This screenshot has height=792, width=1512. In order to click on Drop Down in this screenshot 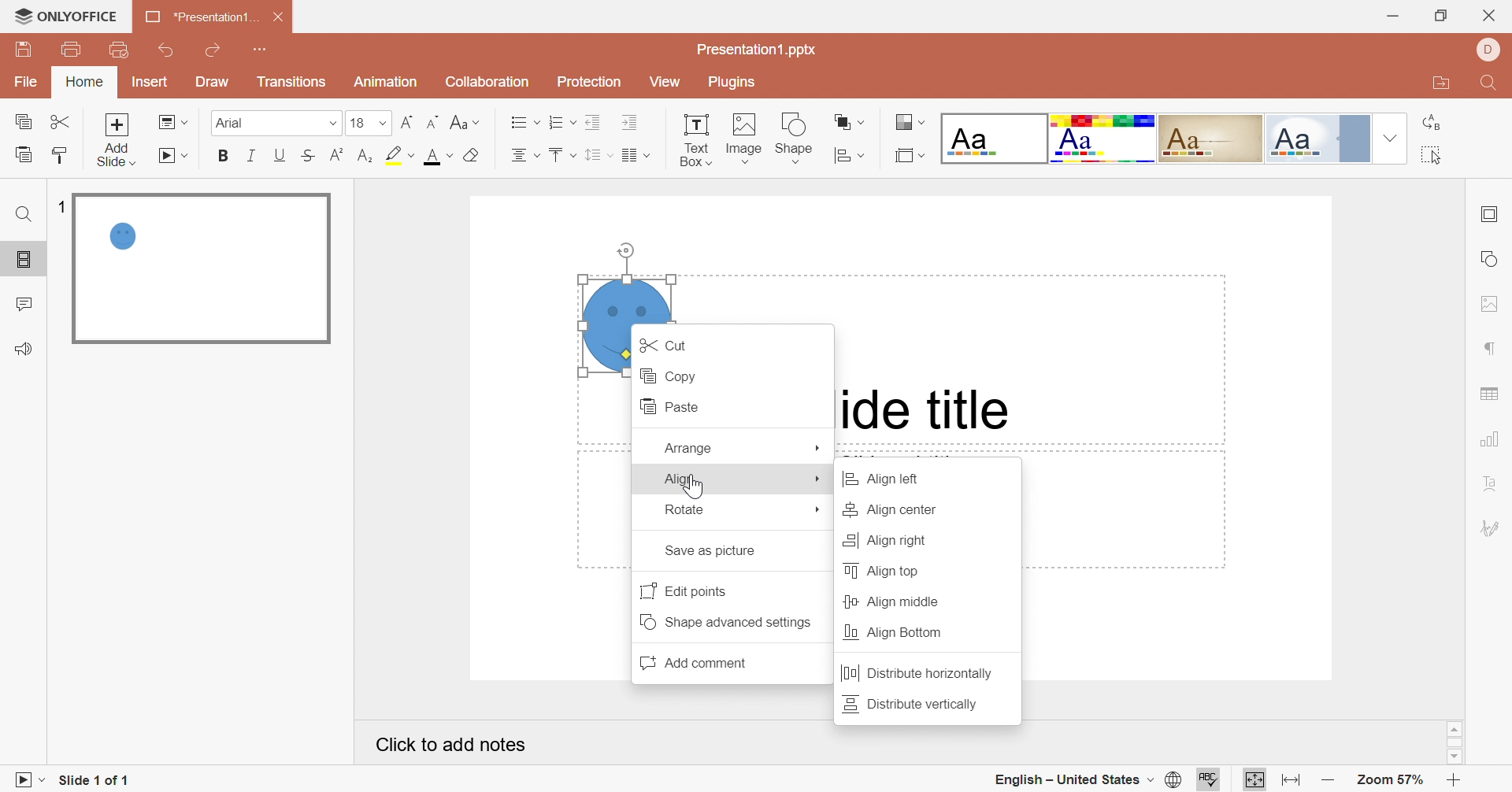, I will do `click(384, 124)`.